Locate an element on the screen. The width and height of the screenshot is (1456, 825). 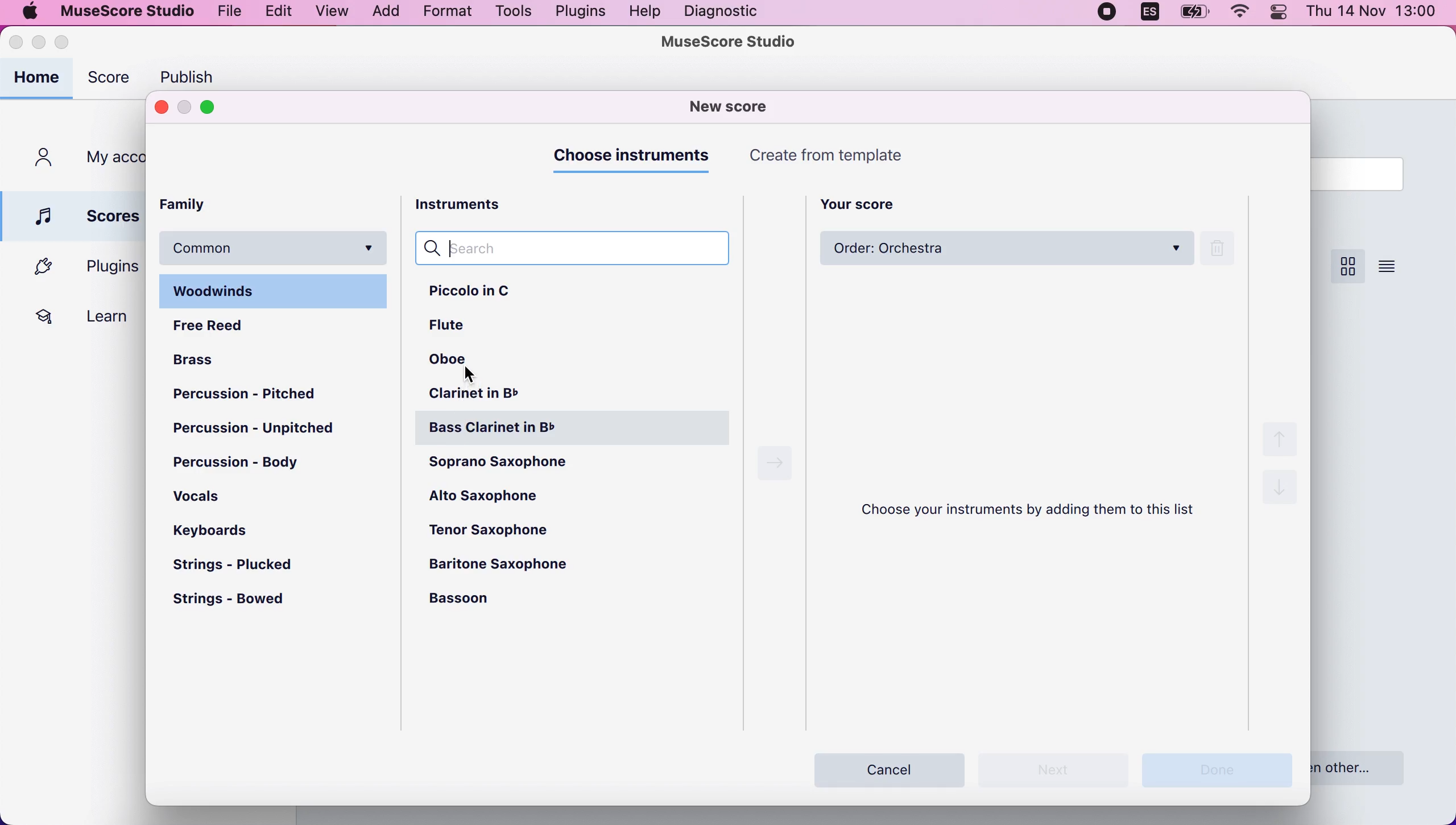
search is located at coordinates (584, 250).